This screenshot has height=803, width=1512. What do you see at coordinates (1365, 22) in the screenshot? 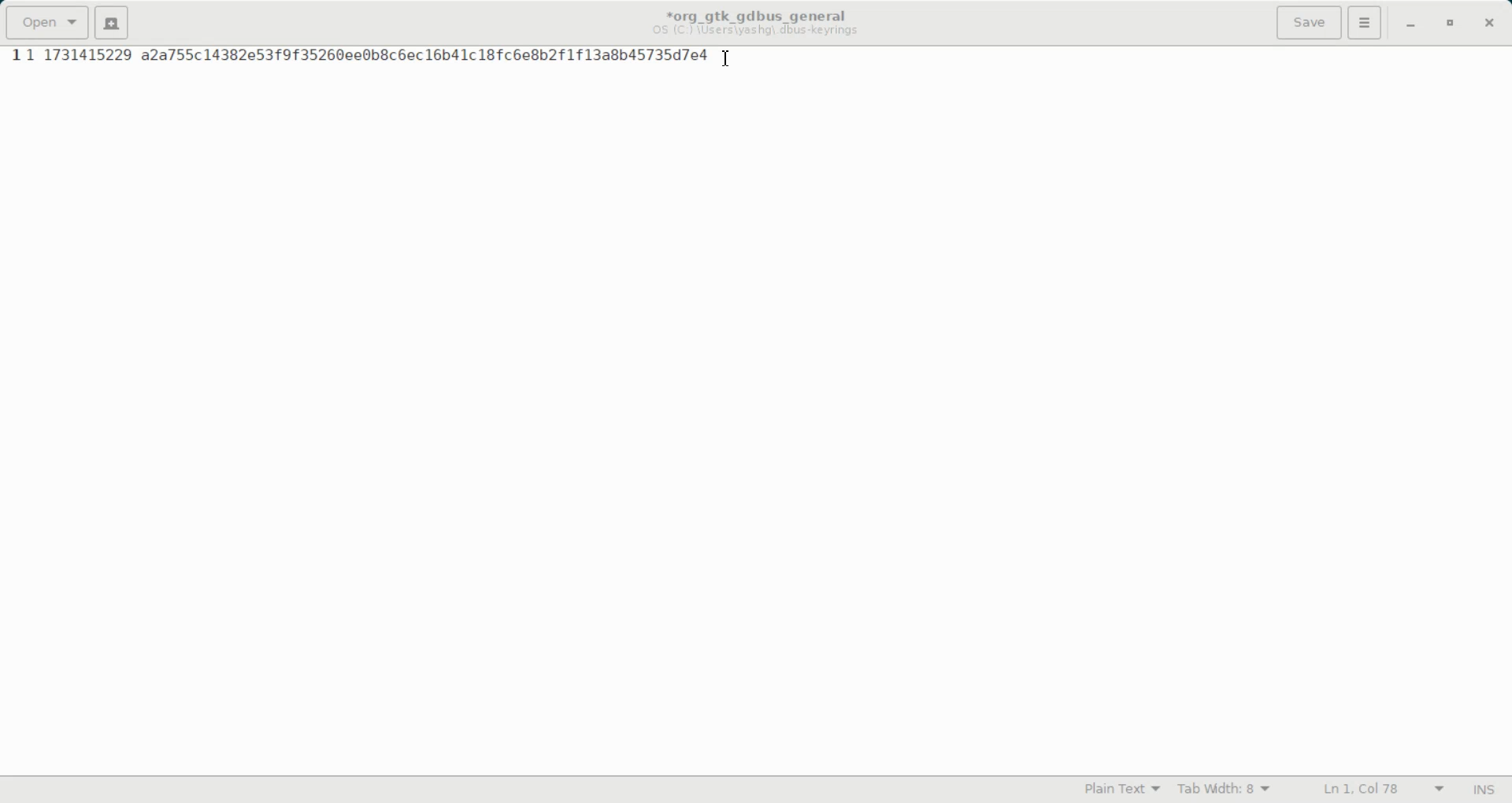
I see `Hamburger Settings` at bounding box center [1365, 22].